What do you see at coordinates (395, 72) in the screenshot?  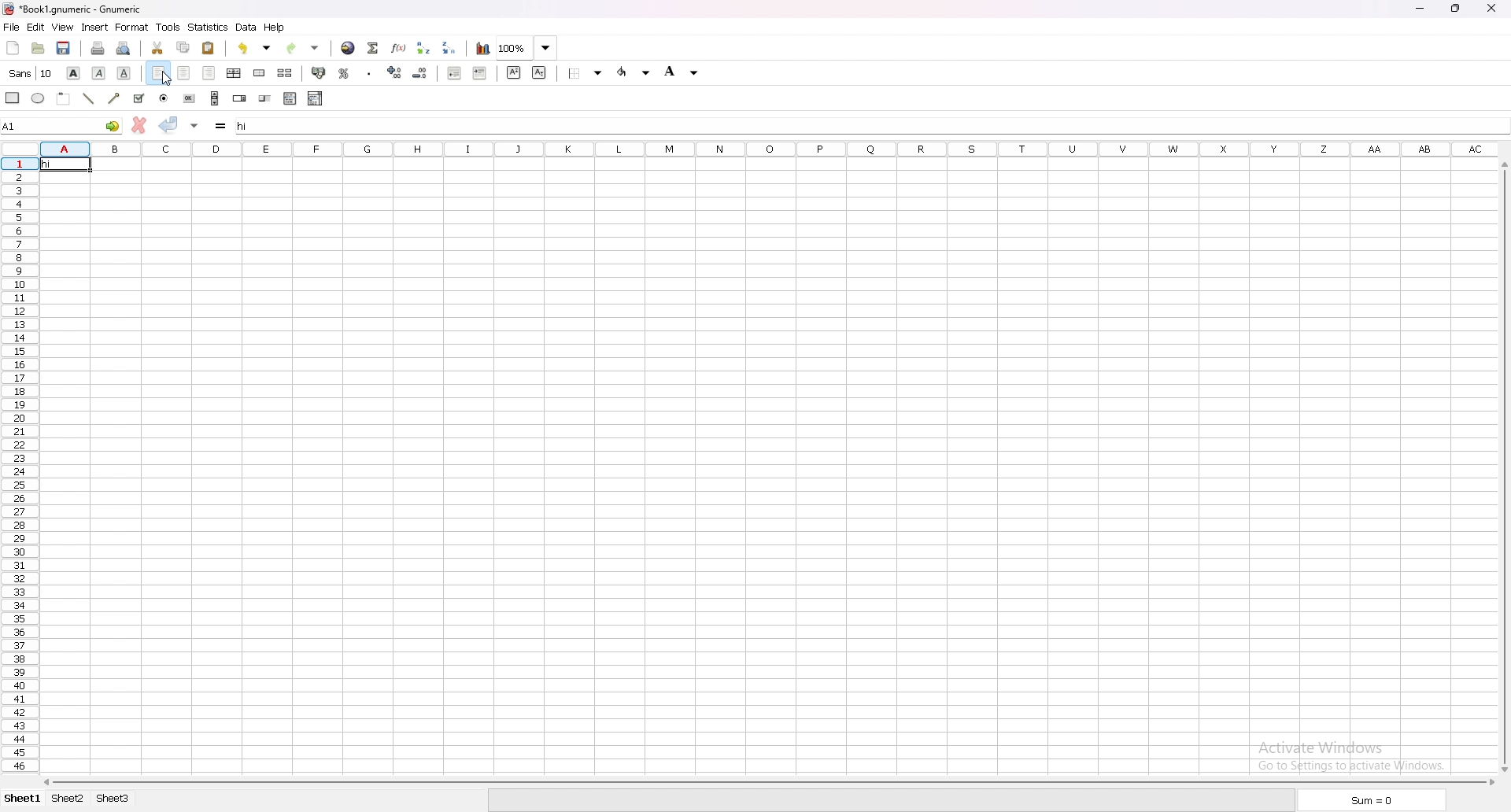 I see `decrease decimal` at bounding box center [395, 72].